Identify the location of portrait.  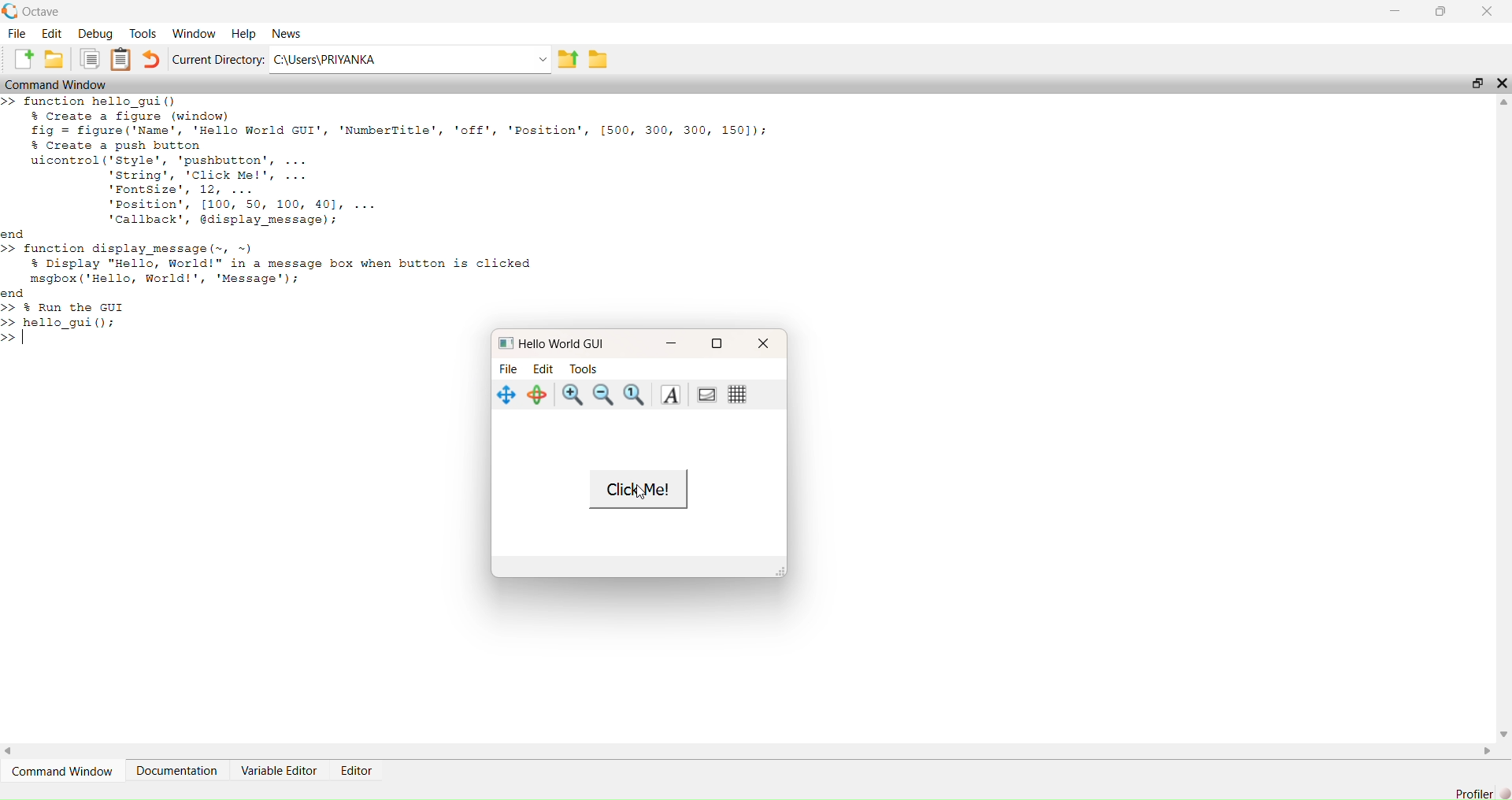
(706, 394).